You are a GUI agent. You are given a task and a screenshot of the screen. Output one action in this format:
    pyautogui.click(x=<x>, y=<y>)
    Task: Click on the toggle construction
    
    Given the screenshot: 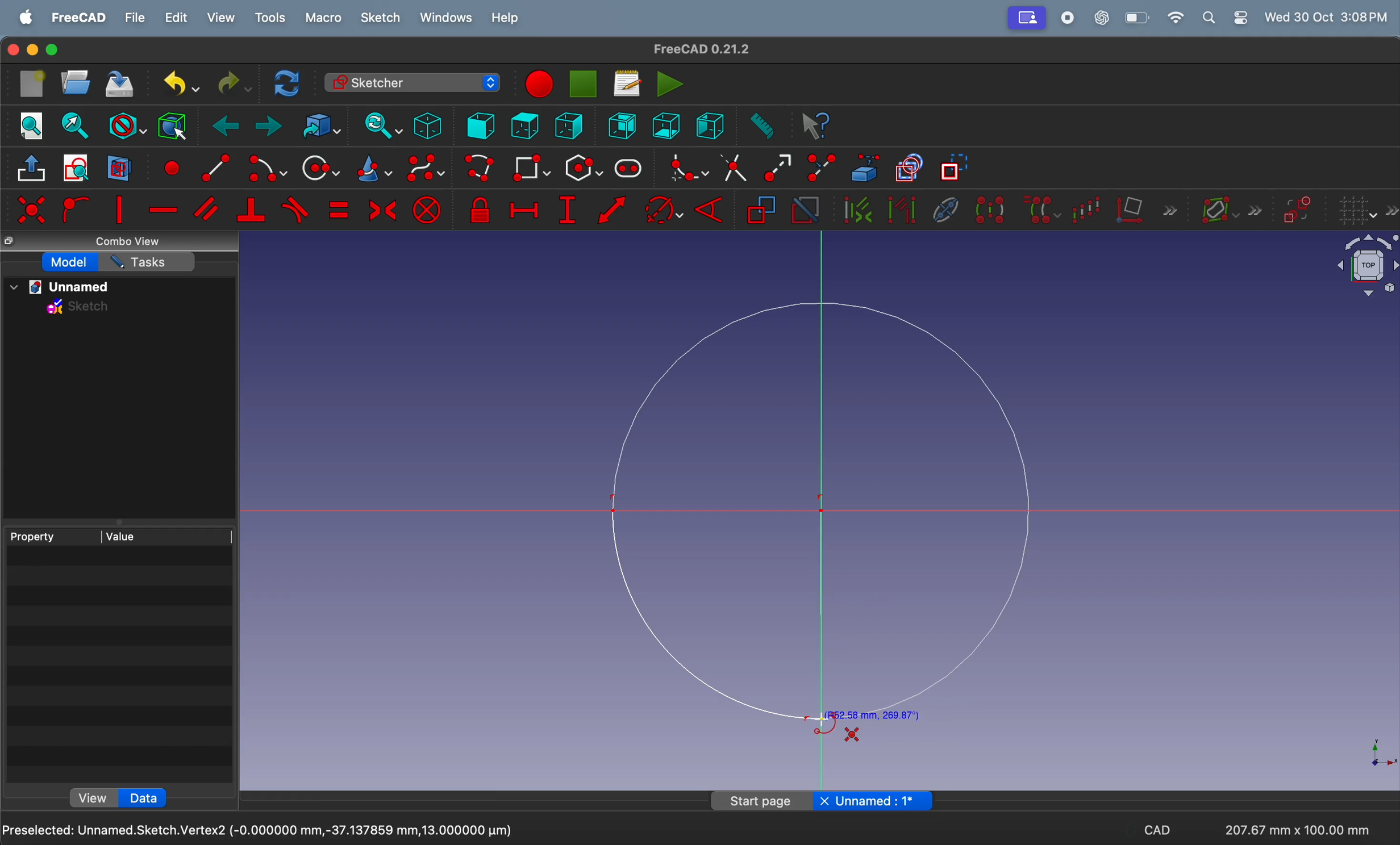 What is the action you would take?
    pyautogui.click(x=955, y=169)
    